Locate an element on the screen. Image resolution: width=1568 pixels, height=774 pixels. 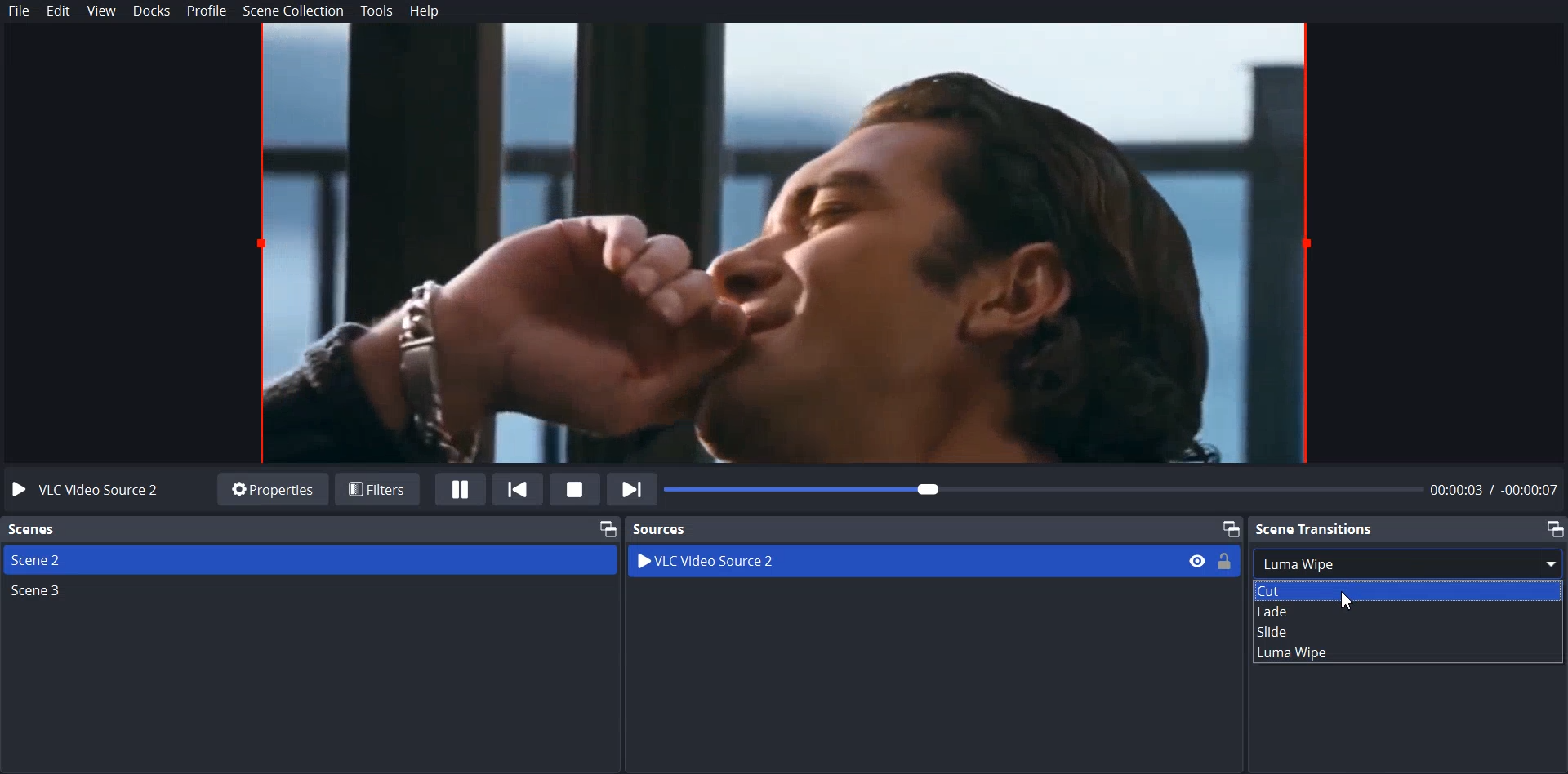
File is located at coordinates (20, 11).